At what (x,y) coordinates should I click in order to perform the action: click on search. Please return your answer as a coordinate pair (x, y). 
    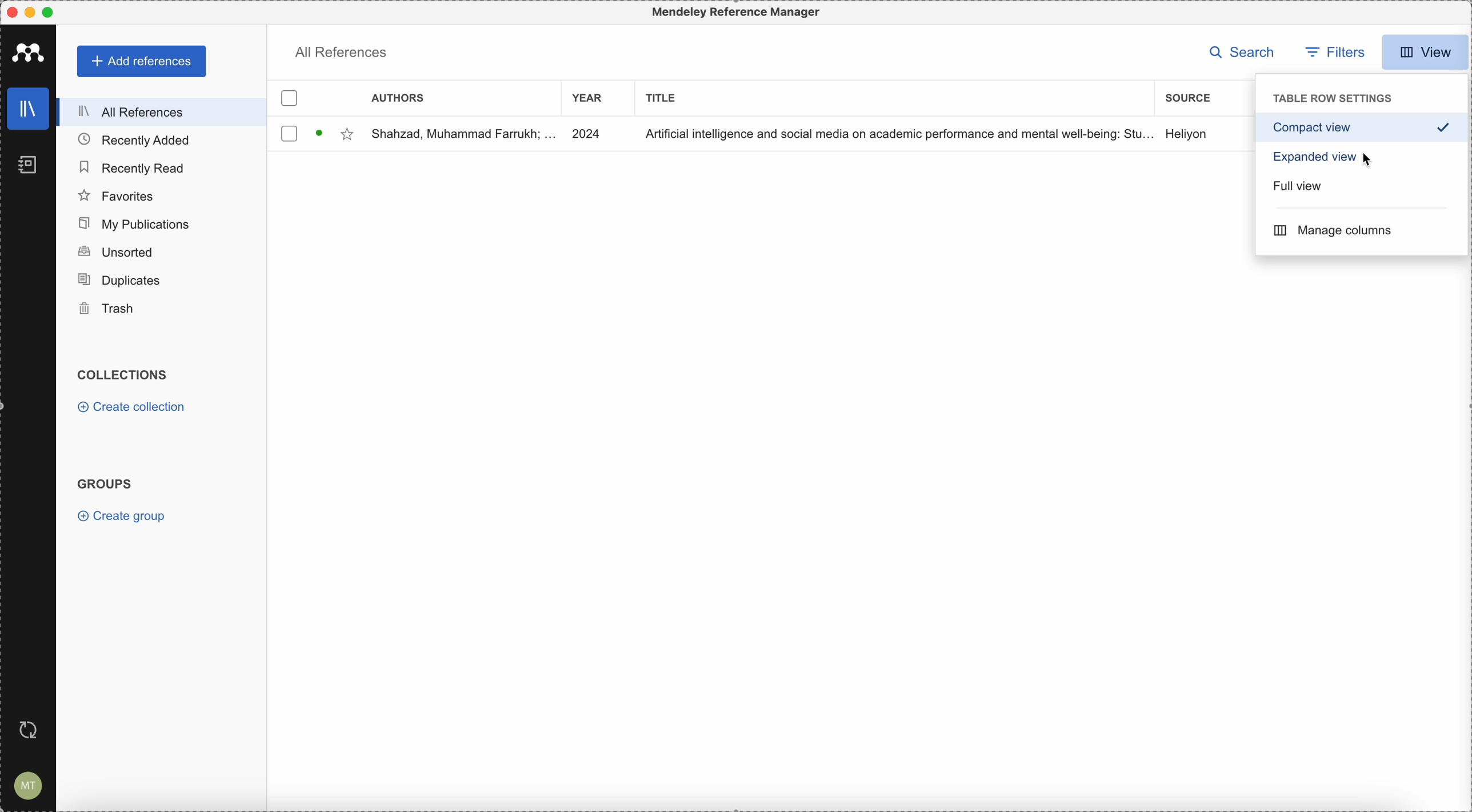
    Looking at the image, I should click on (1238, 52).